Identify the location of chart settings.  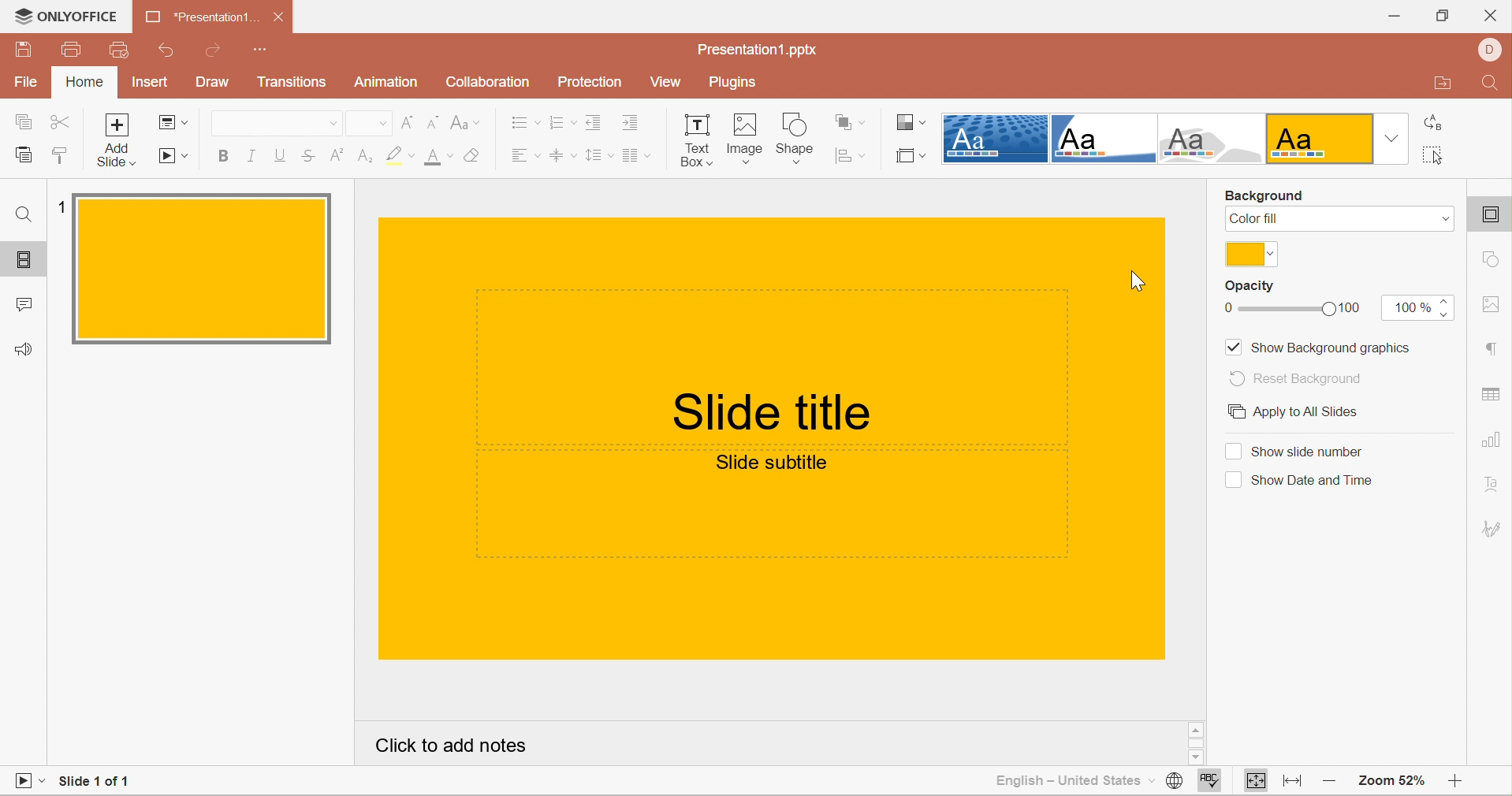
(1492, 440).